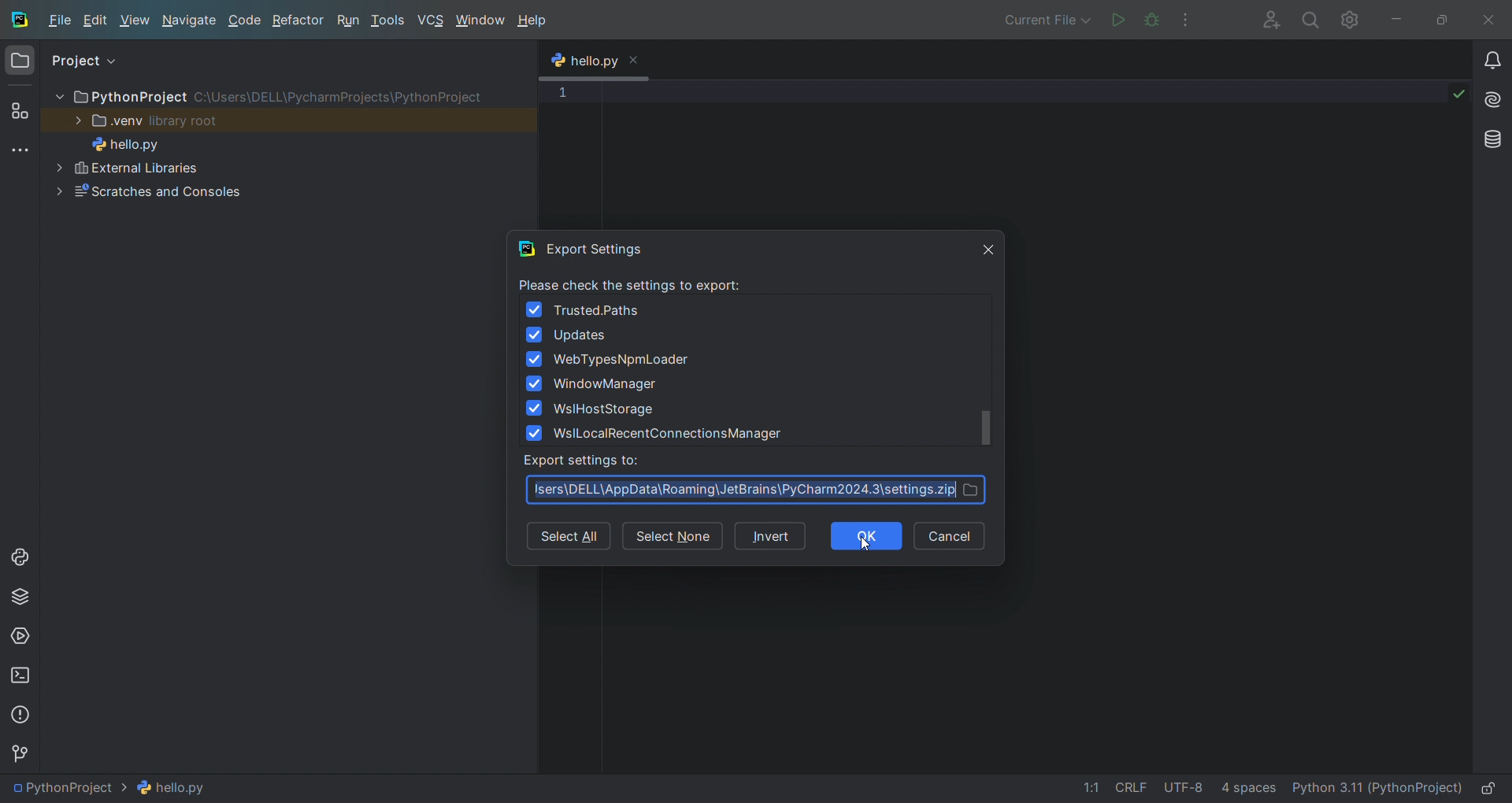 The height and width of the screenshot is (803, 1512). Describe the element at coordinates (1377, 786) in the screenshot. I see `interpreter` at that location.